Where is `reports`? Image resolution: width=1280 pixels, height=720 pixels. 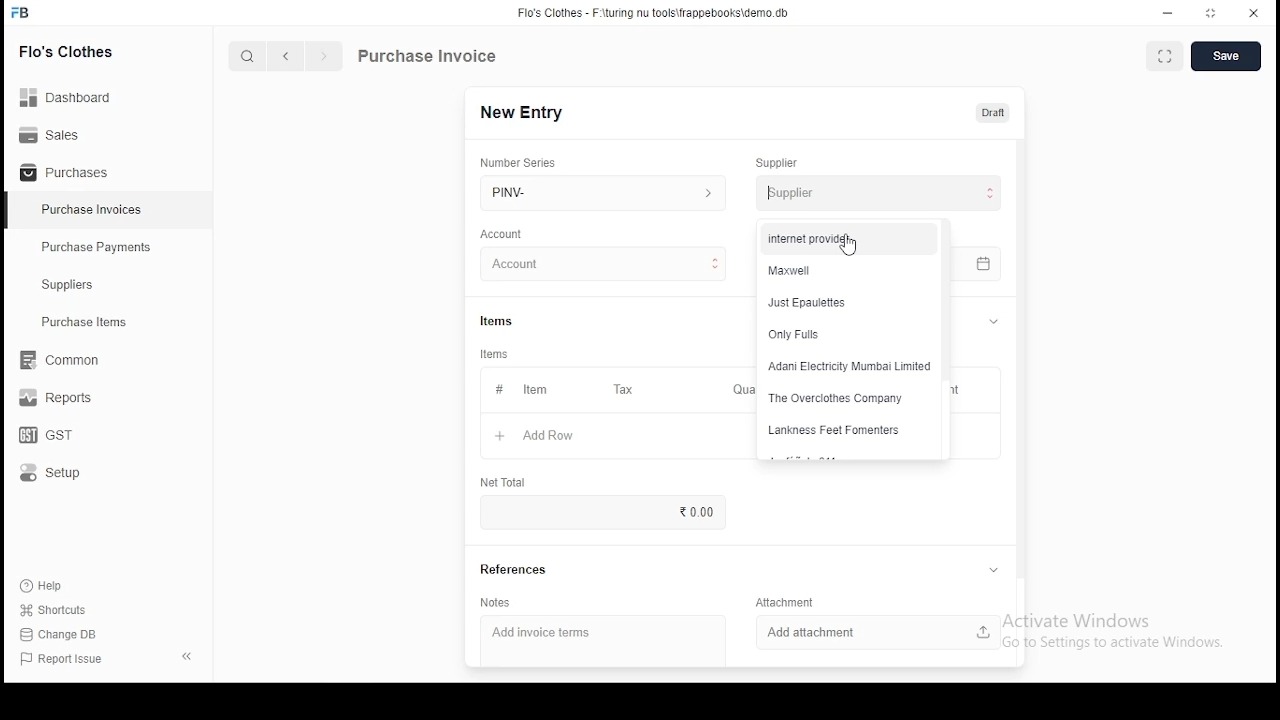 reports is located at coordinates (58, 400).